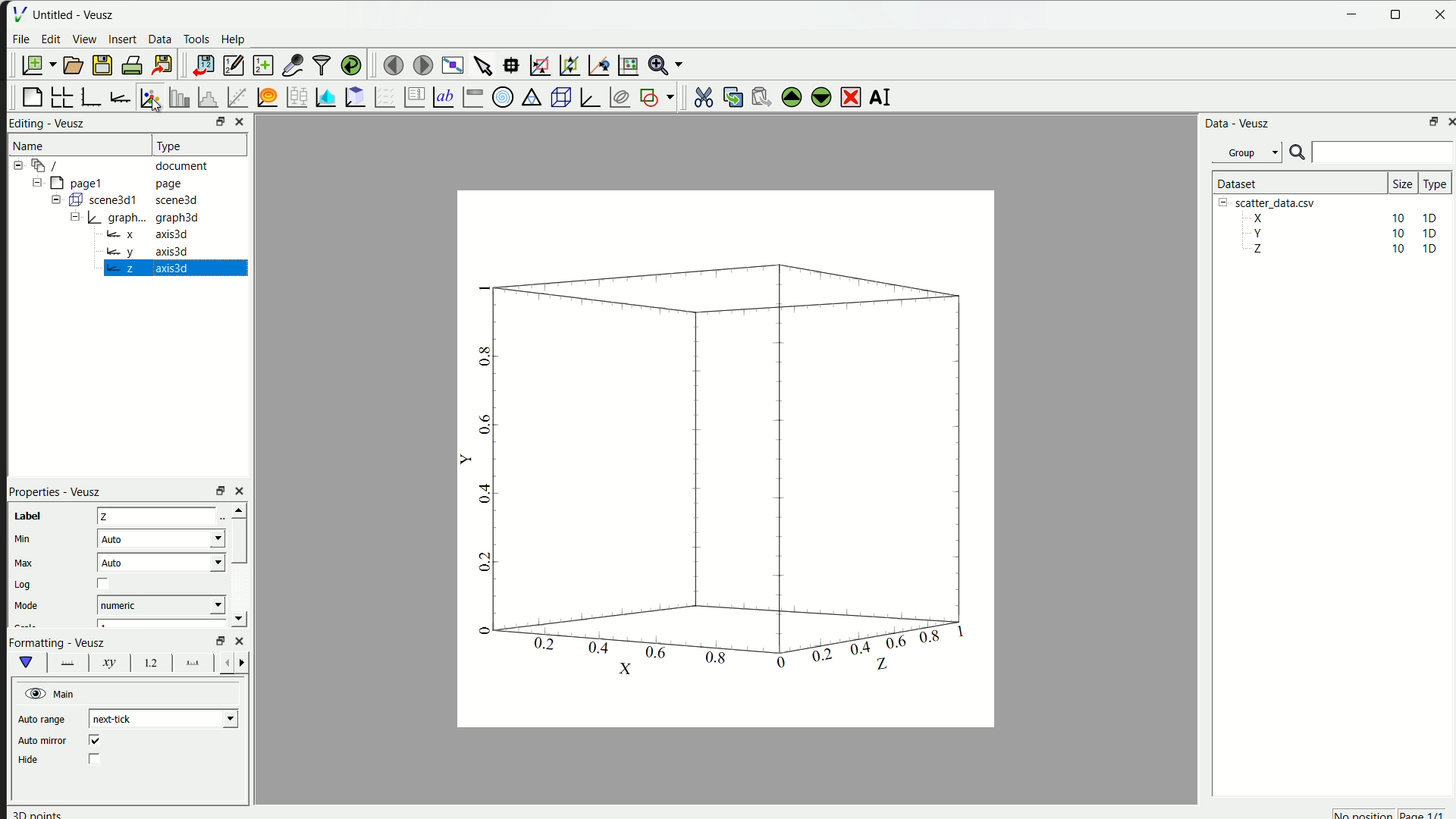 The image size is (1456, 819). Describe the element at coordinates (529, 97) in the screenshot. I see `Ternary Graph` at that location.